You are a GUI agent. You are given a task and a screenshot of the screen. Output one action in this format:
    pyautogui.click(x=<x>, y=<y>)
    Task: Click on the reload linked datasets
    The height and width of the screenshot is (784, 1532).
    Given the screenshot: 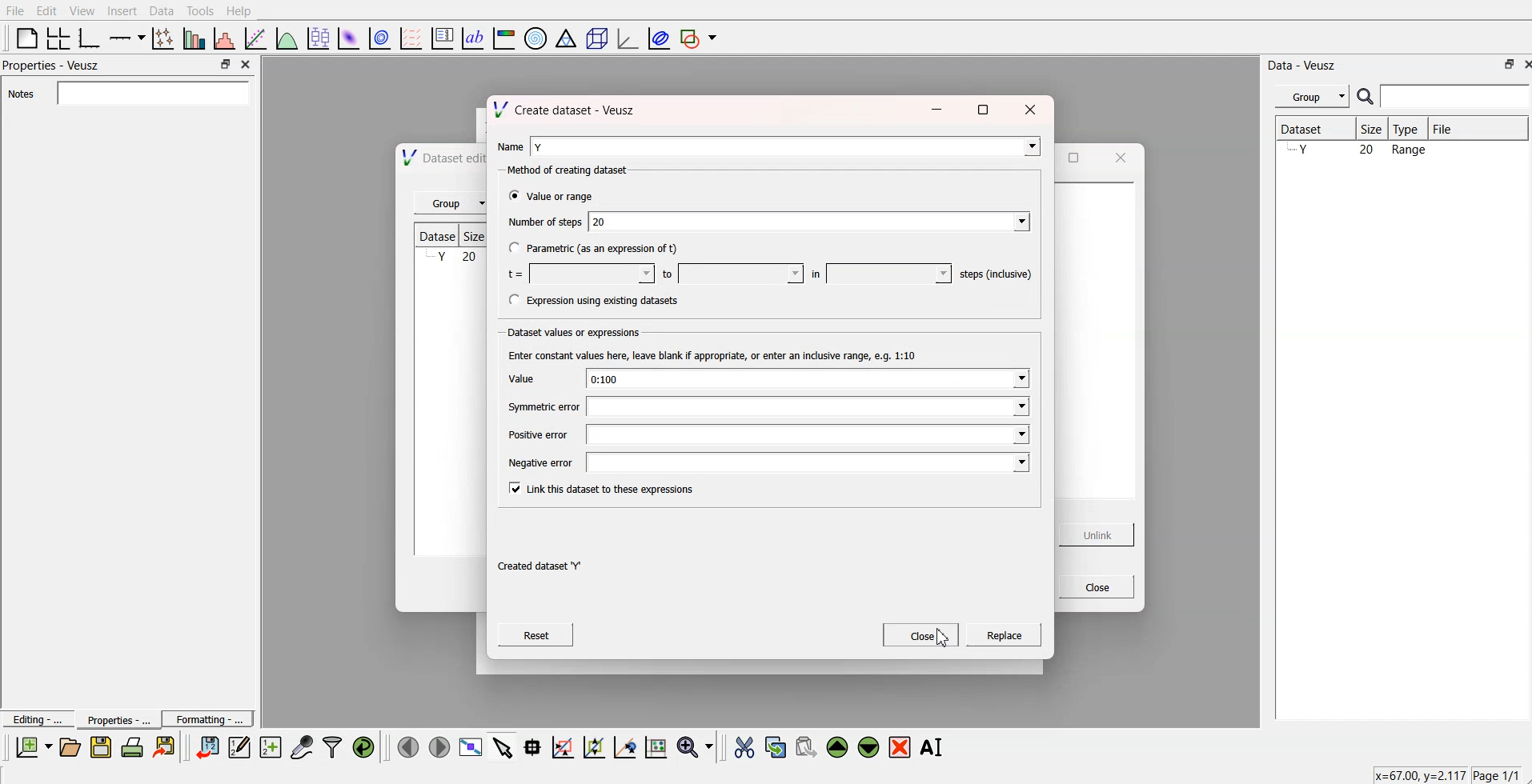 What is the action you would take?
    pyautogui.click(x=366, y=746)
    